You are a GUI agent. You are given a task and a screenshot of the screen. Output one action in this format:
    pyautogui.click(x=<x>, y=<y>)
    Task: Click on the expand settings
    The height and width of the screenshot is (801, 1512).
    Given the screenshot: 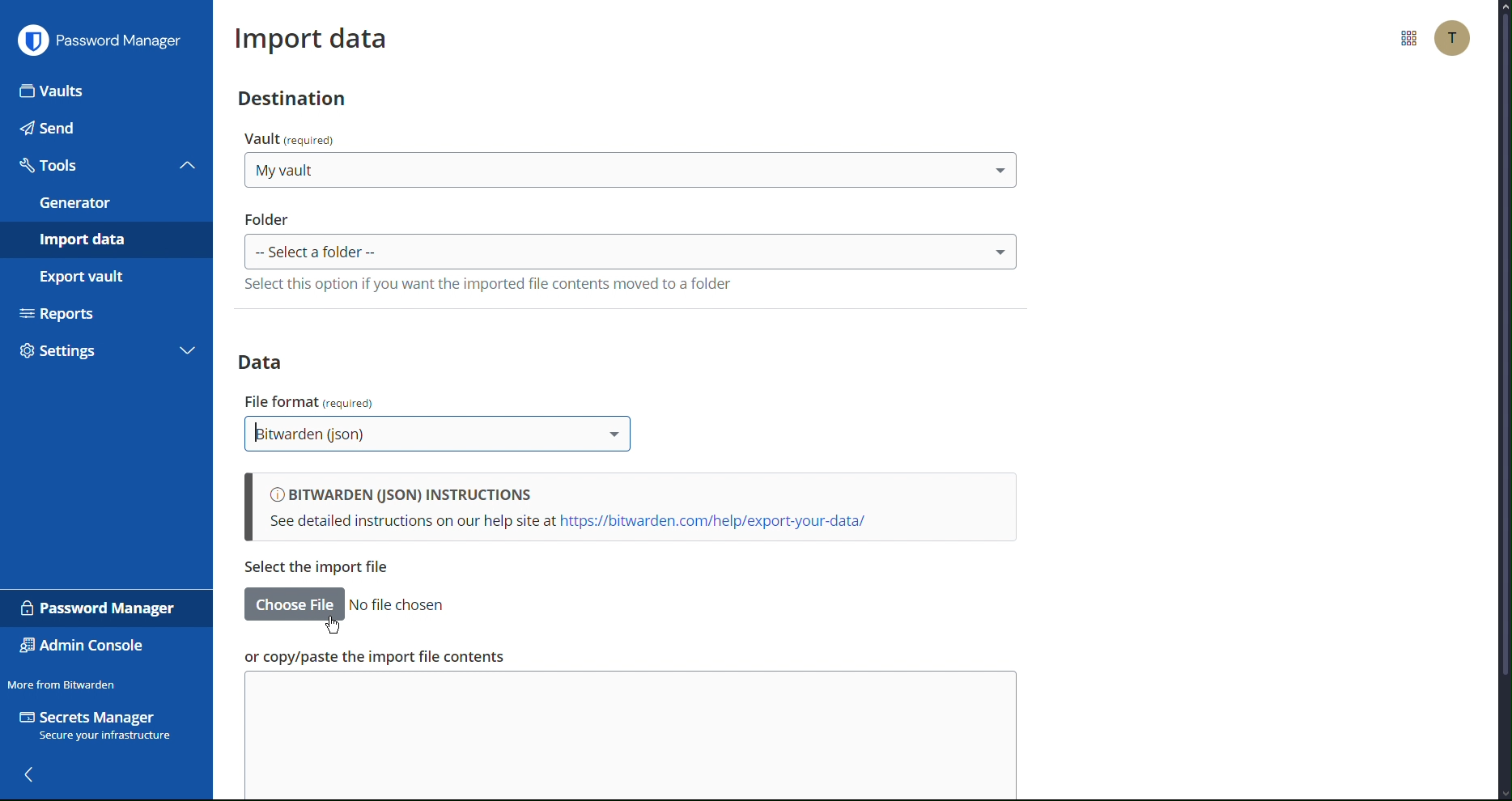 What is the action you would take?
    pyautogui.click(x=188, y=353)
    